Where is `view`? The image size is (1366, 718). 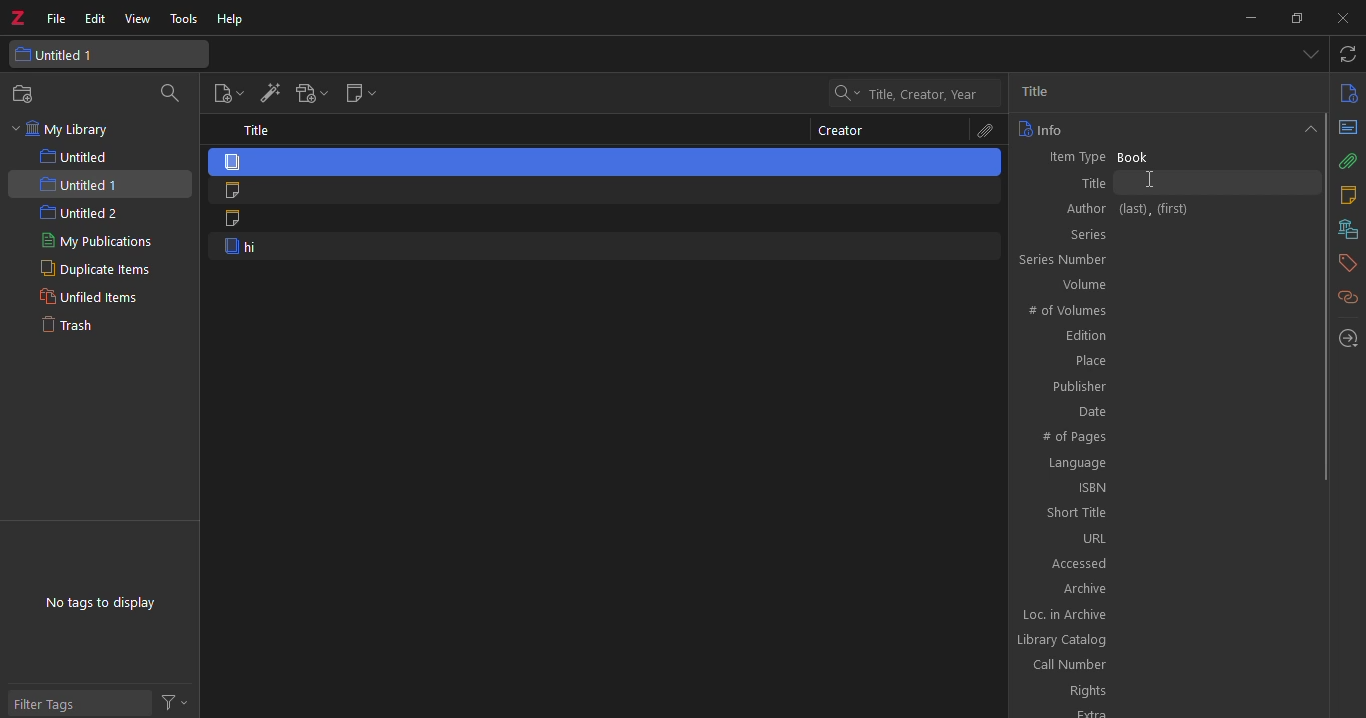 view is located at coordinates (140, 19).